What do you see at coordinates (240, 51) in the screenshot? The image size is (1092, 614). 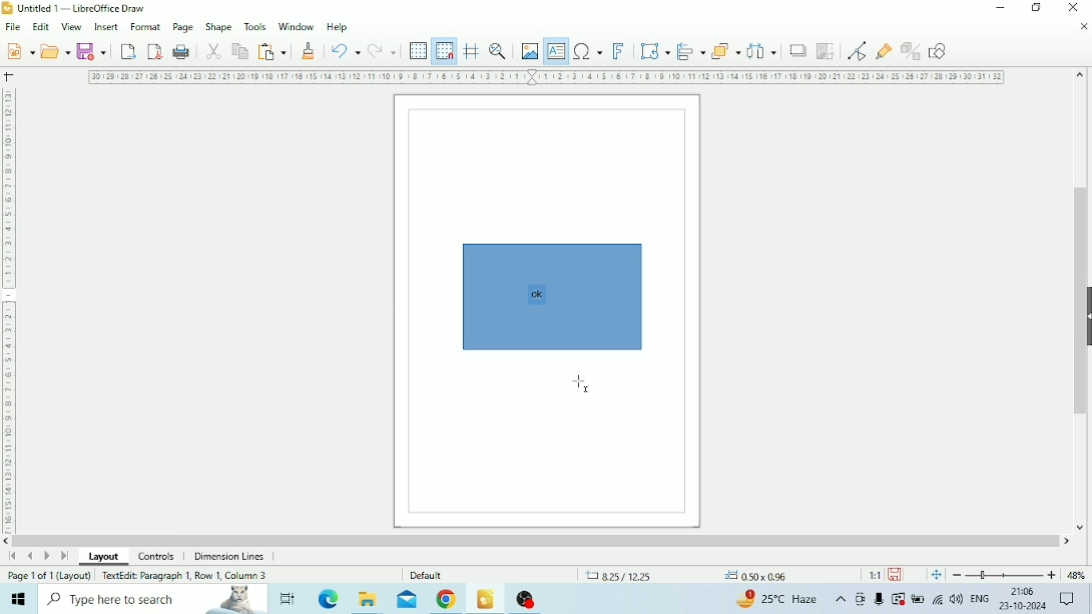 I see `Copy` at bounding box center [240, 51].